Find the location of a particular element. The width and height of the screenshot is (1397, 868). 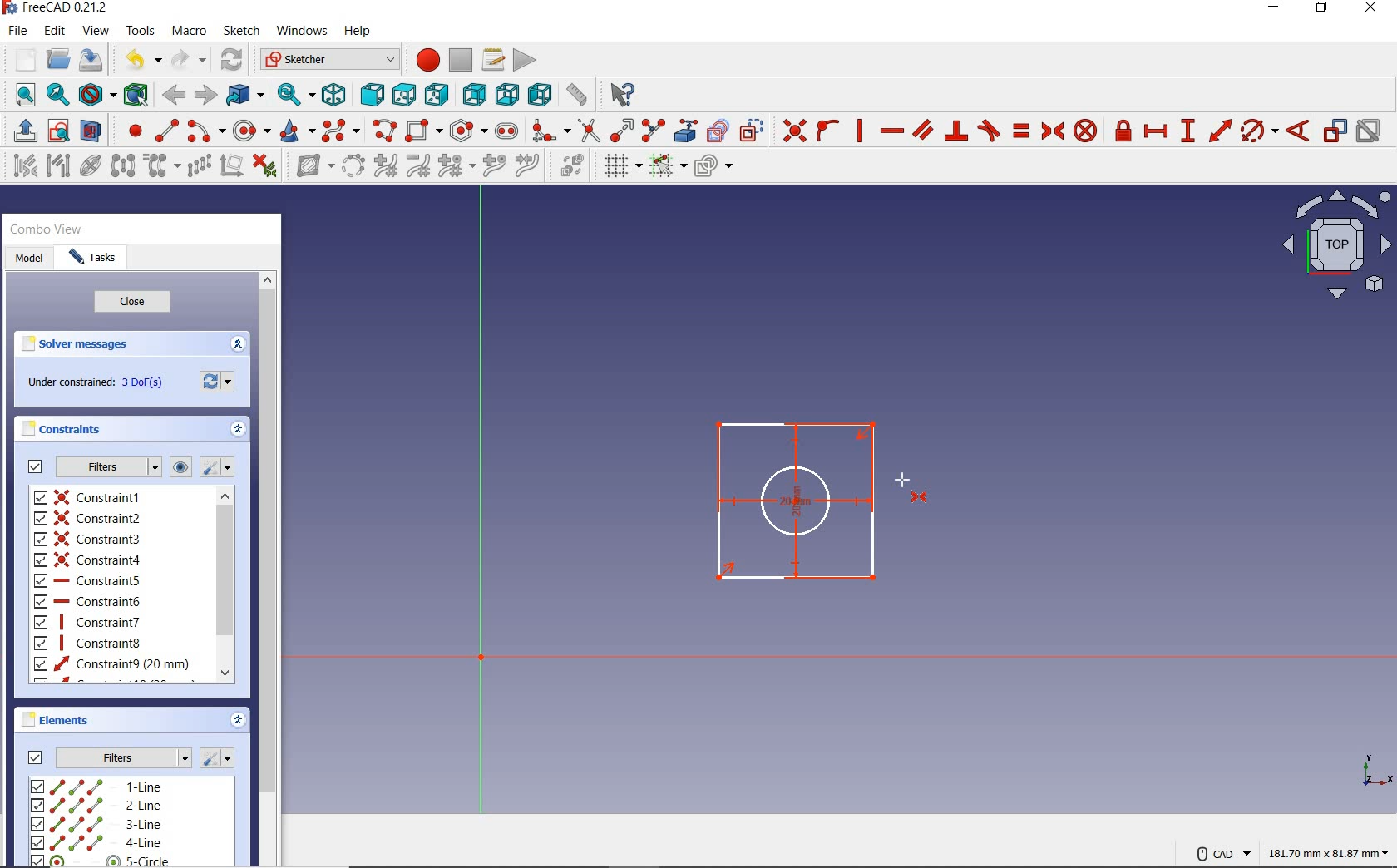

settings is located at coordinates (219, 467).